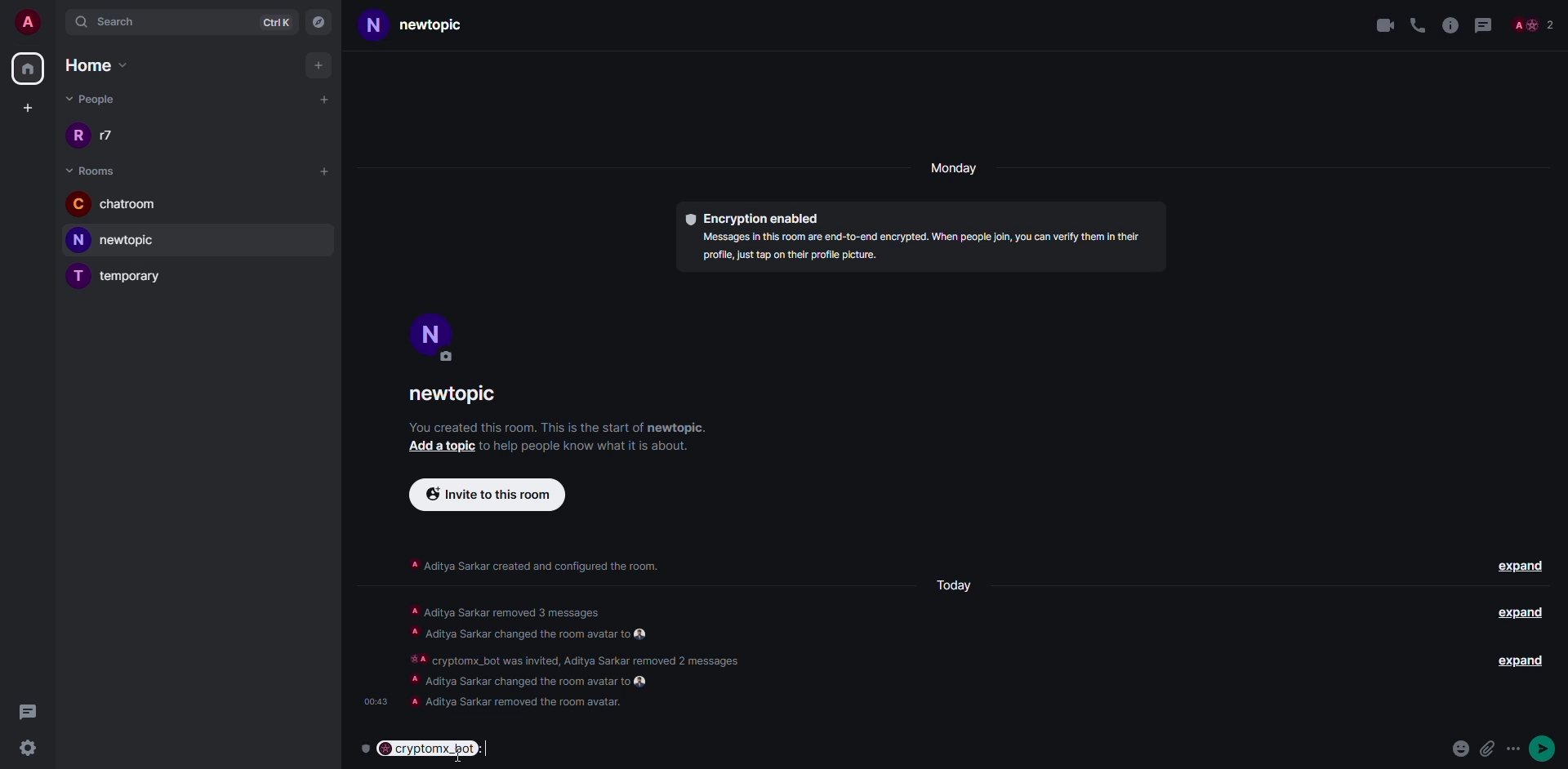 This screenshot has width=1568, height=769. I want to click on newtopic, so click(463, 395).